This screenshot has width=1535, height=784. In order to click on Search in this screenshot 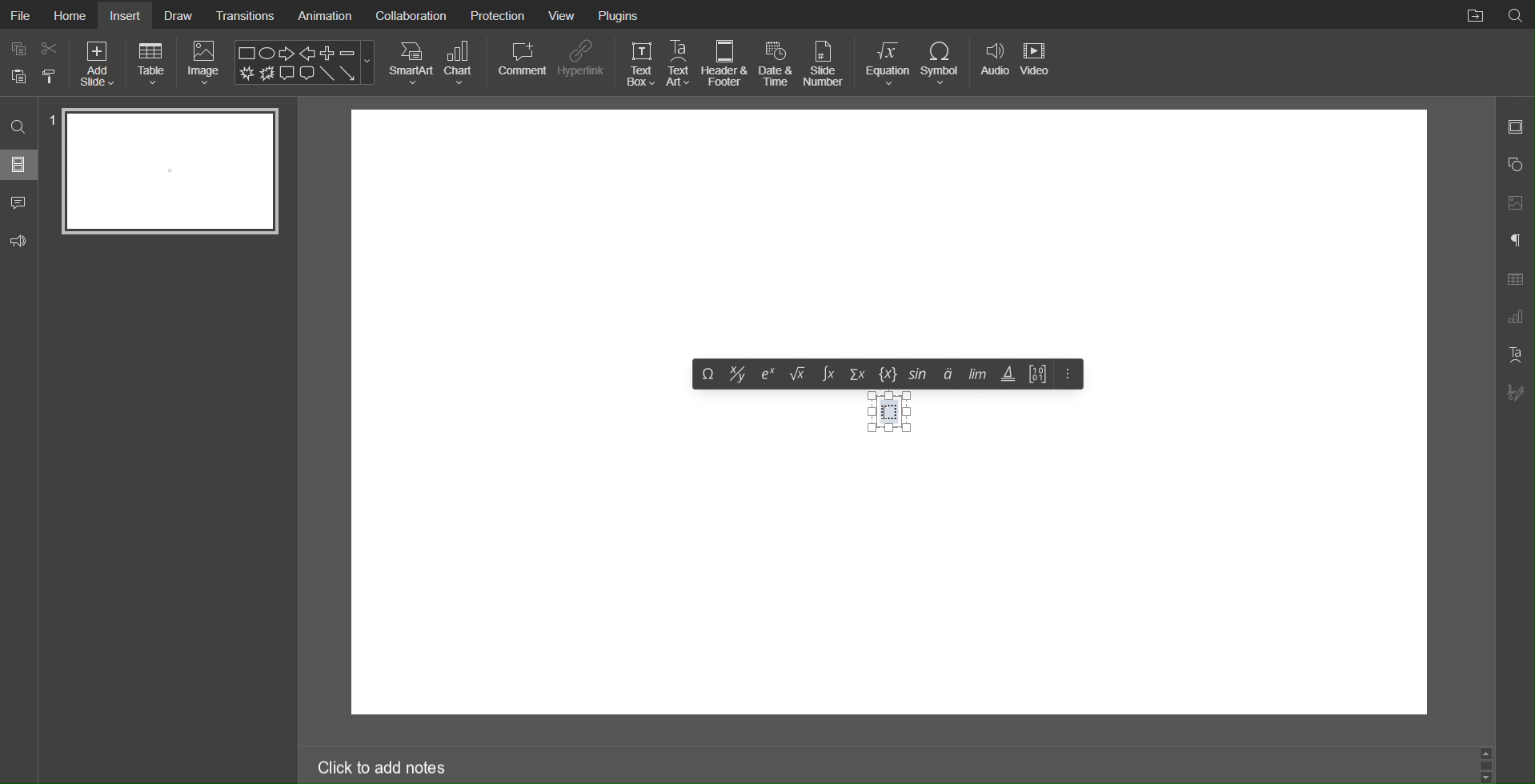, I will do `click(19, 128)`.